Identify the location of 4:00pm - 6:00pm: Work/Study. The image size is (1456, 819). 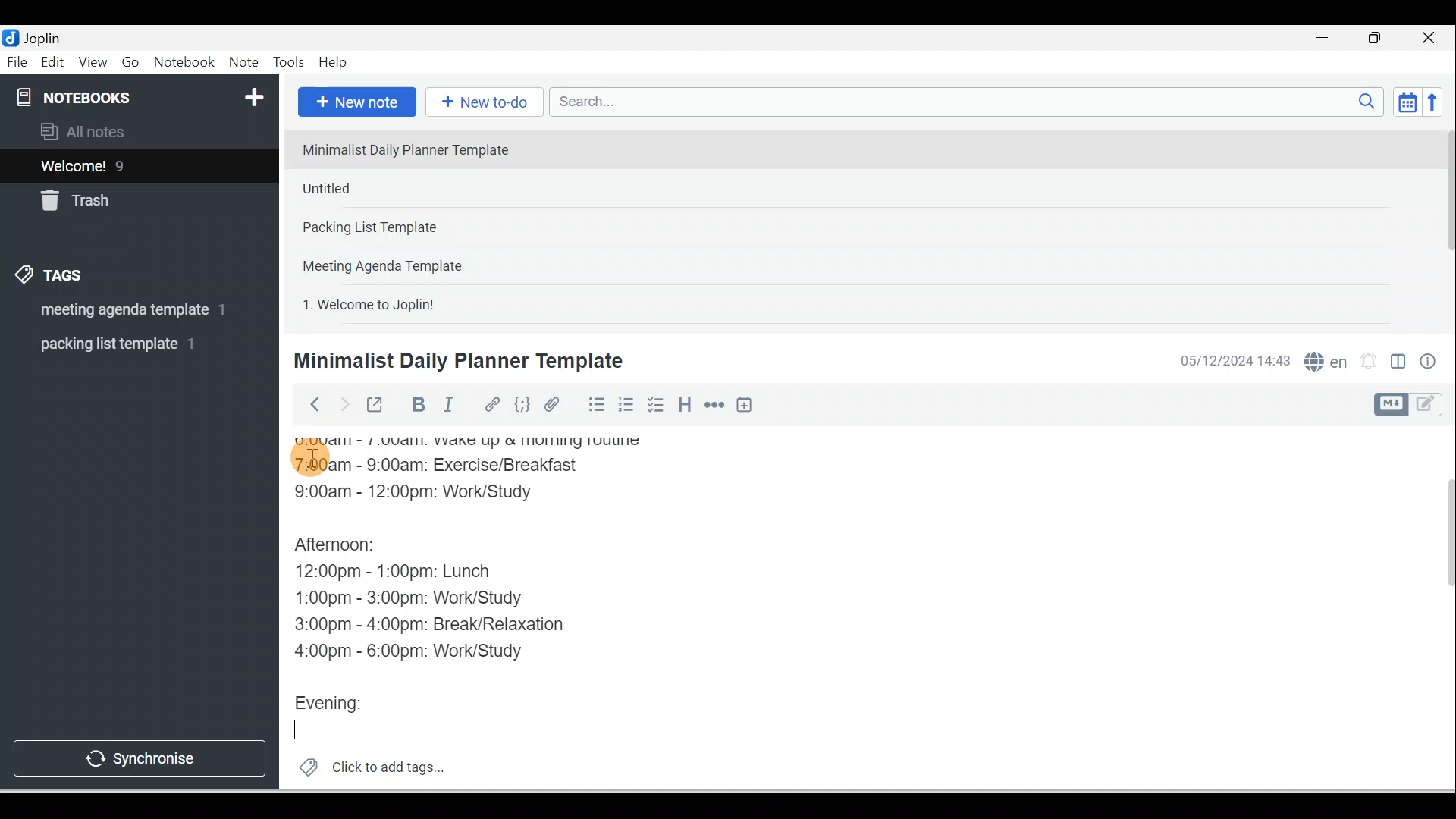
(415, 652).